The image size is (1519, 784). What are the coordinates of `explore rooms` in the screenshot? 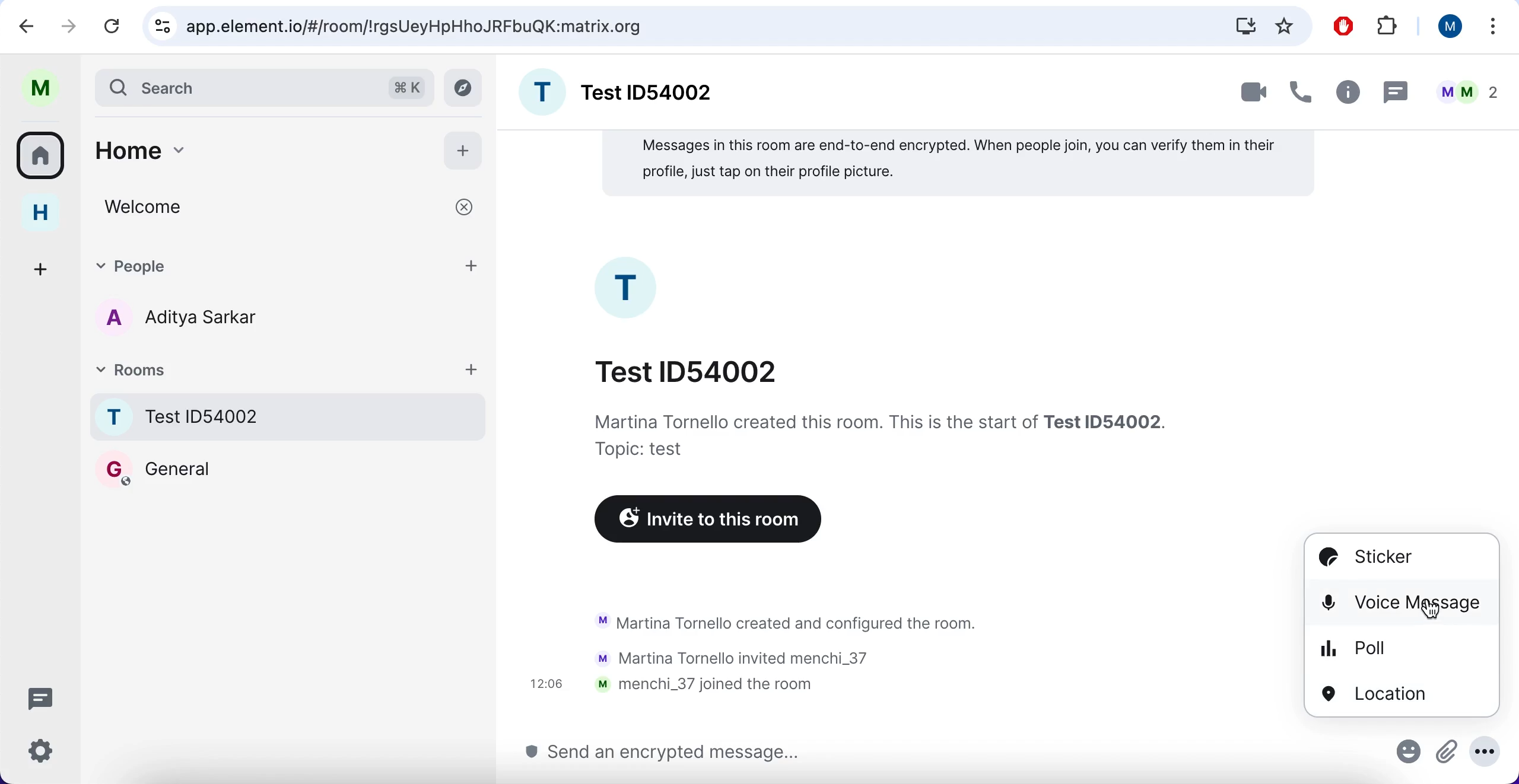 It's located at (465, 88).